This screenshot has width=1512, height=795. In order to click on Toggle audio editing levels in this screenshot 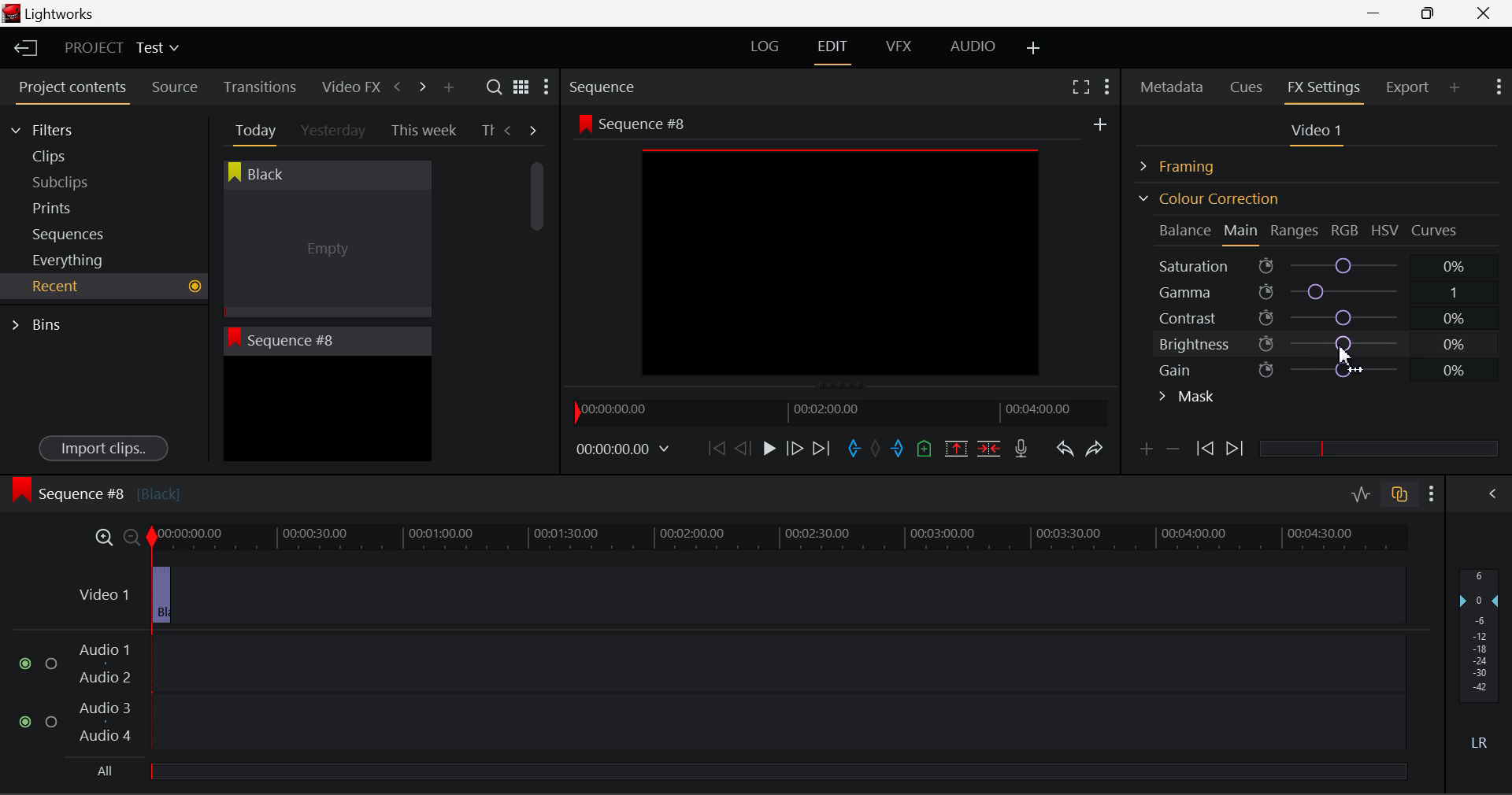, I will do `click(1362, 492)`.